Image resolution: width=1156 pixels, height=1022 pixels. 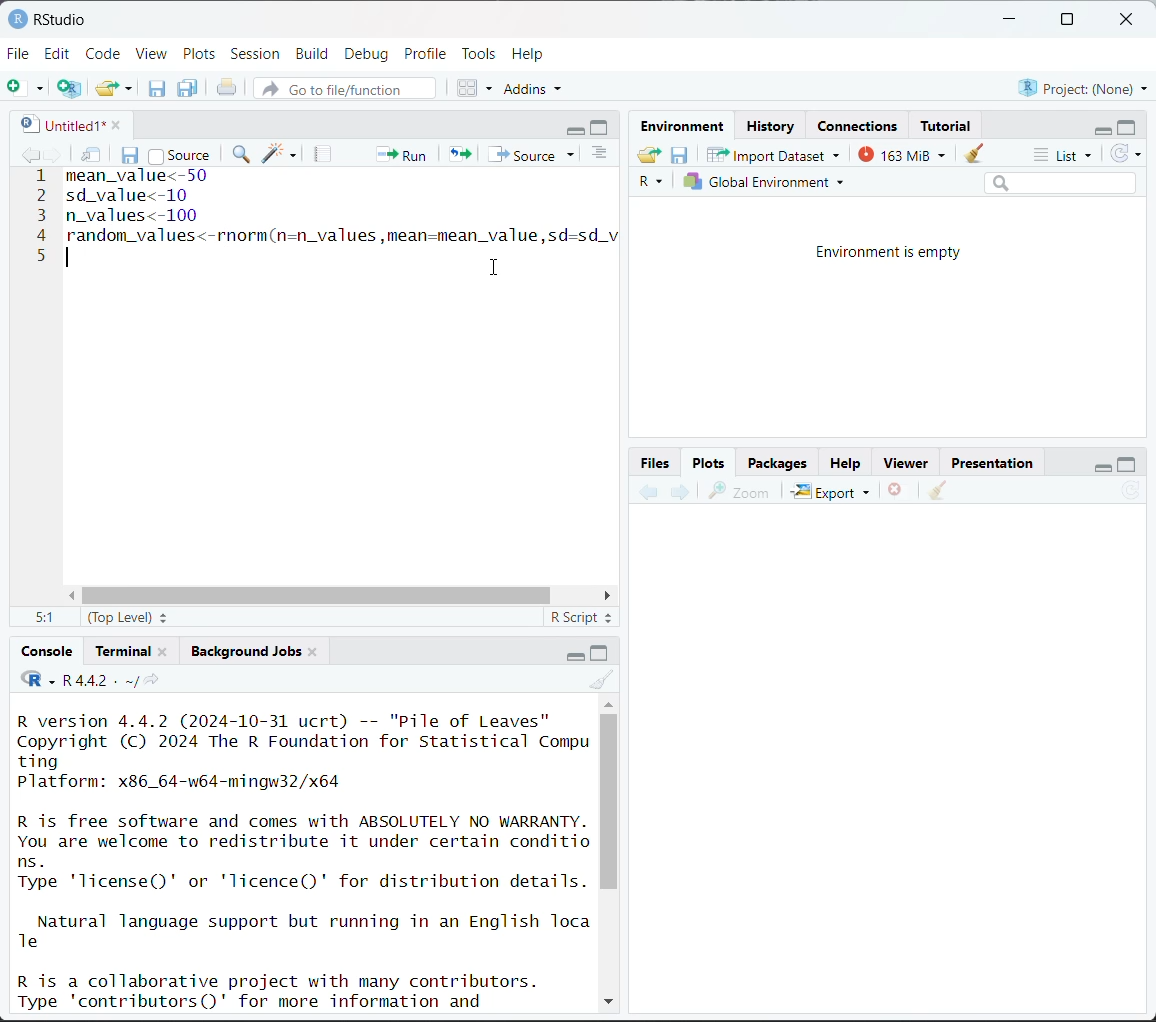 What do you see at coordinates (47, 18) in the screenshot?
I see `RStudio` at bounding box center [47, 18].